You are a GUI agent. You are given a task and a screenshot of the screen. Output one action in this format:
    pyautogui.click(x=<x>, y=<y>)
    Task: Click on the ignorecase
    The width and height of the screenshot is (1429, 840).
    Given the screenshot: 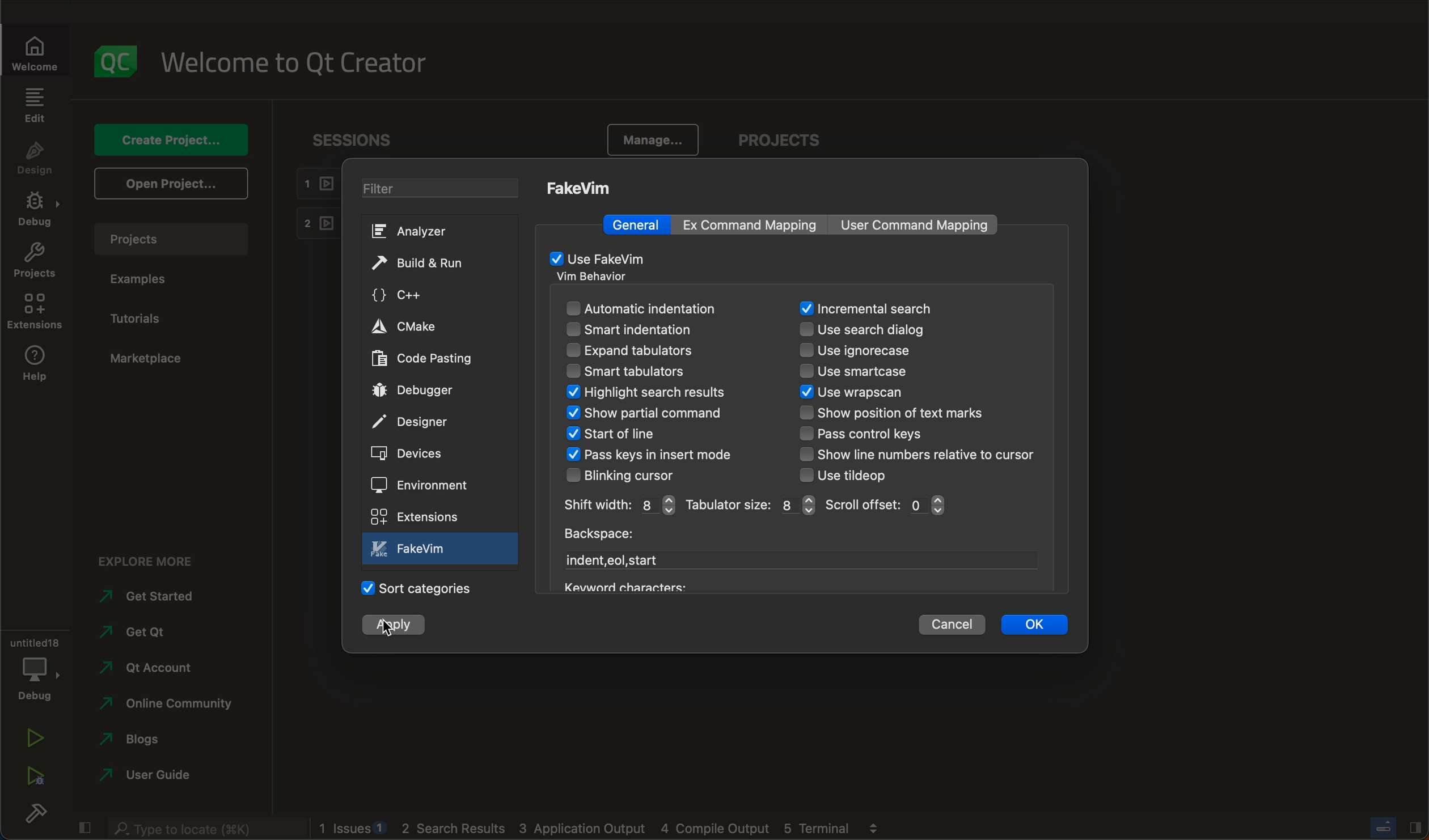 What is the action you would take?
    pyautogui.click(x=860, y=351)
    